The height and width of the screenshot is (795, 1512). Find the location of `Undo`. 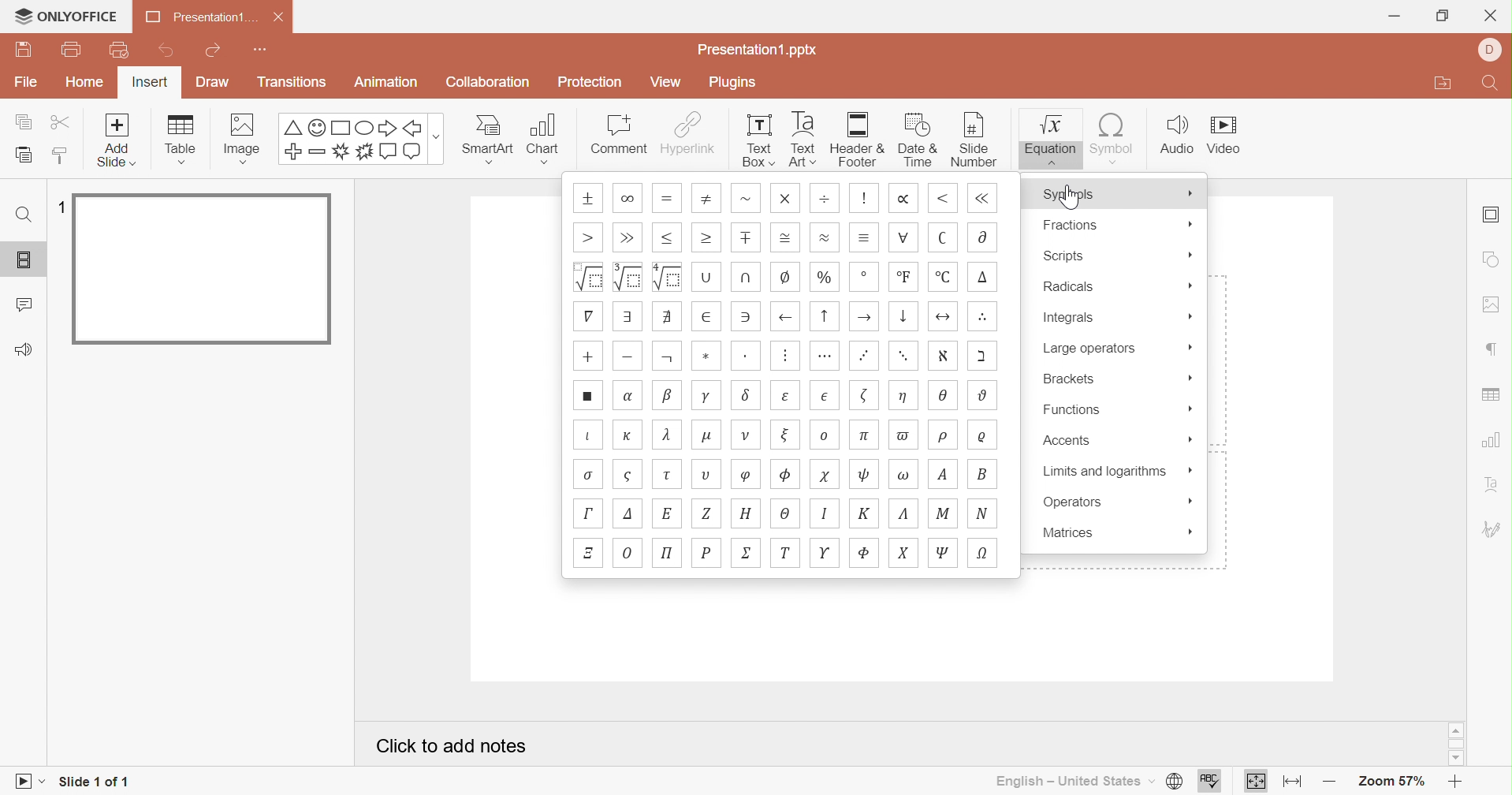

Undo is located at coordinates (167, 54).